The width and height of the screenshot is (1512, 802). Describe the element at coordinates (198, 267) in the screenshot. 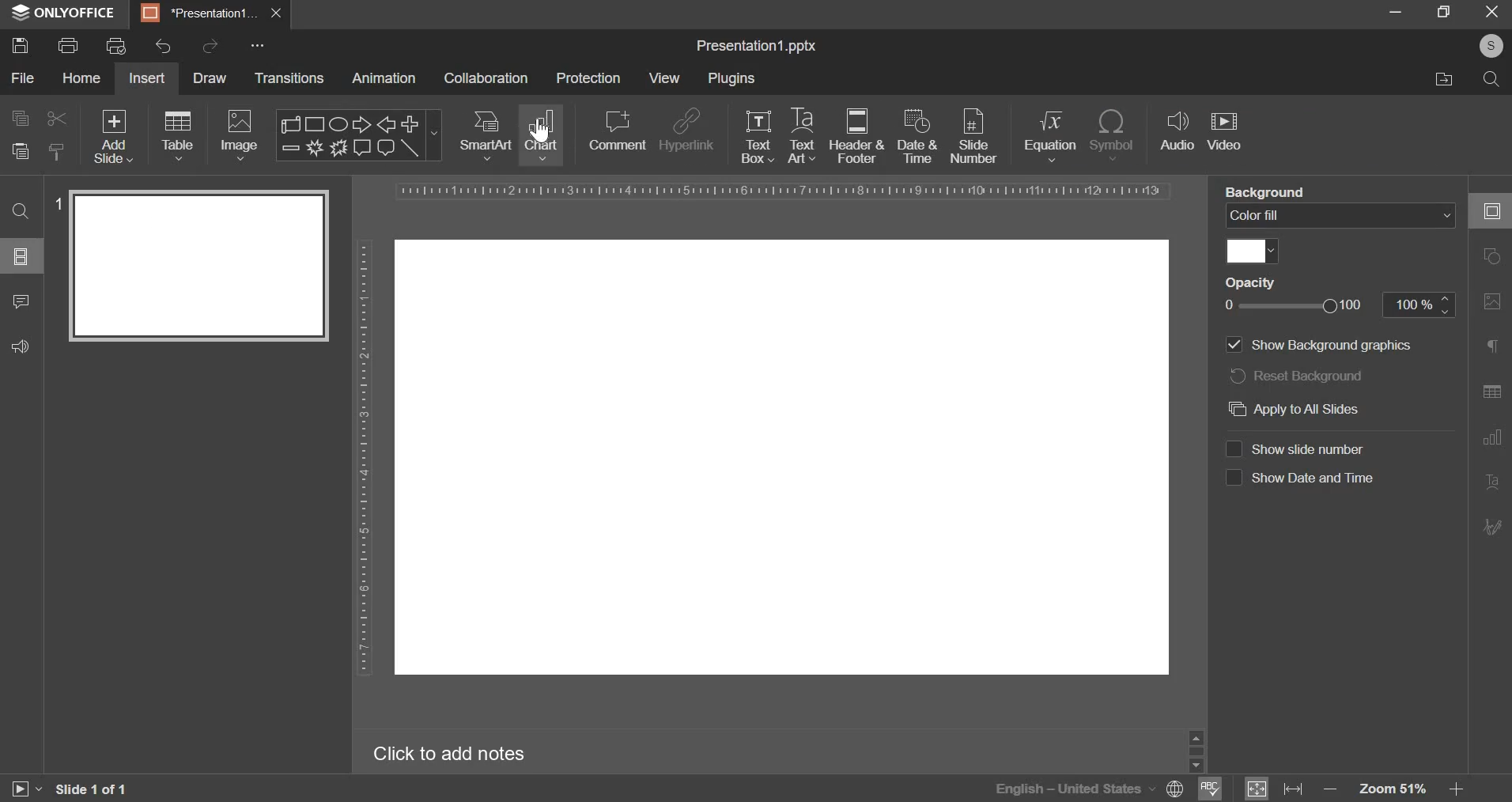

I see `slide preview` at that location.